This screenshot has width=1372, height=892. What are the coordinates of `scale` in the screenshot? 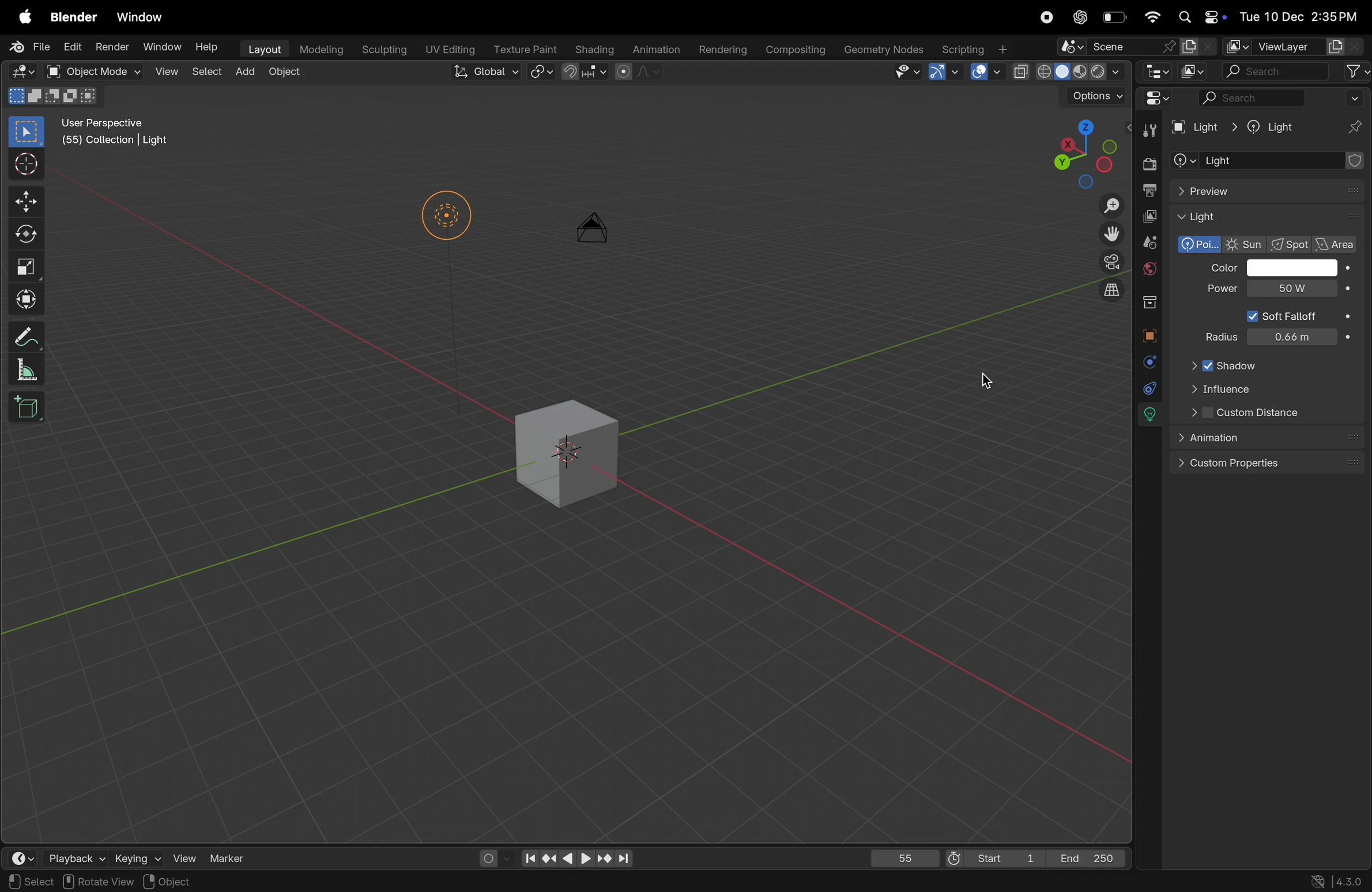 It's located at (26, 371).